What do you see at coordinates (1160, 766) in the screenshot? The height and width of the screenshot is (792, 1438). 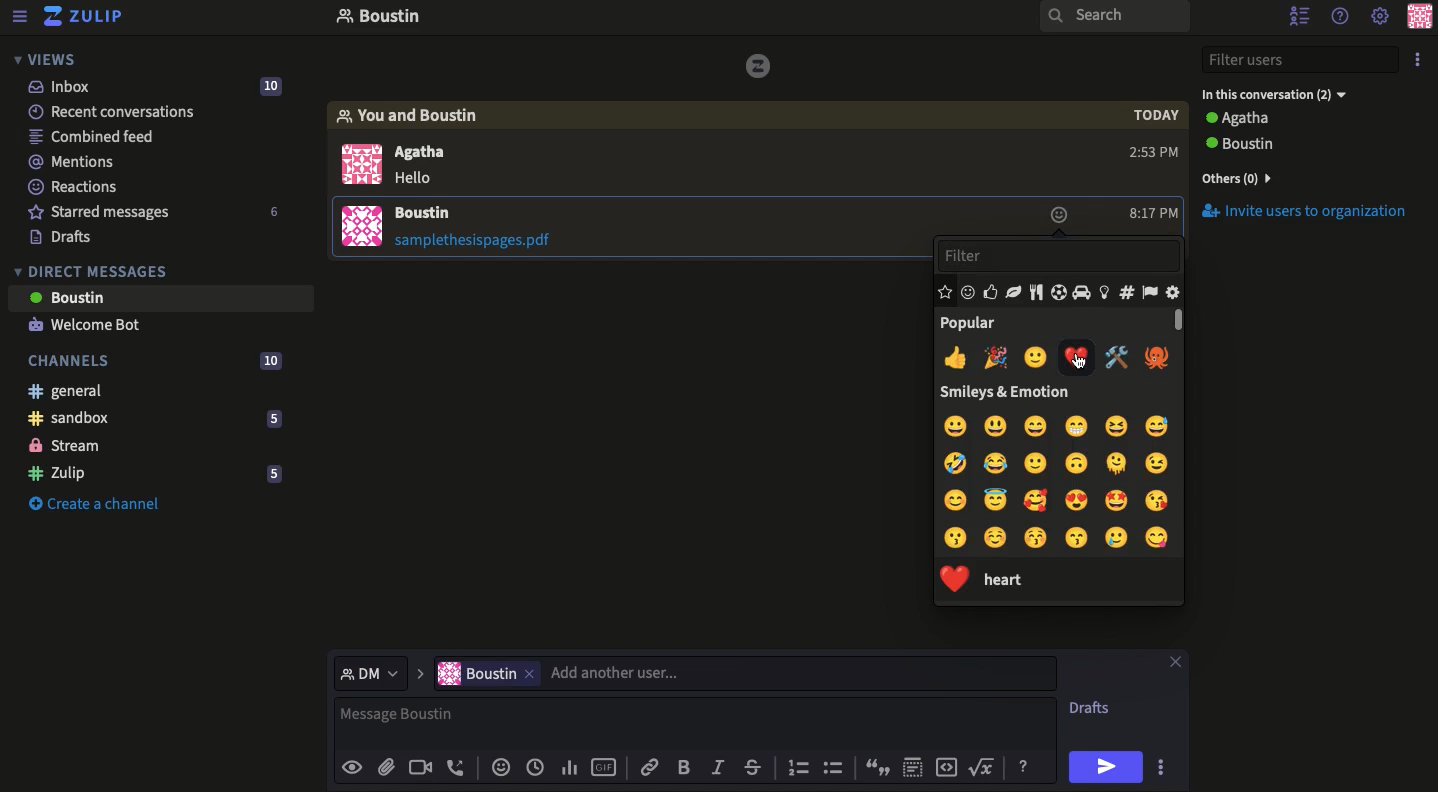 I see `Options` at bounding box center [1160, 766].